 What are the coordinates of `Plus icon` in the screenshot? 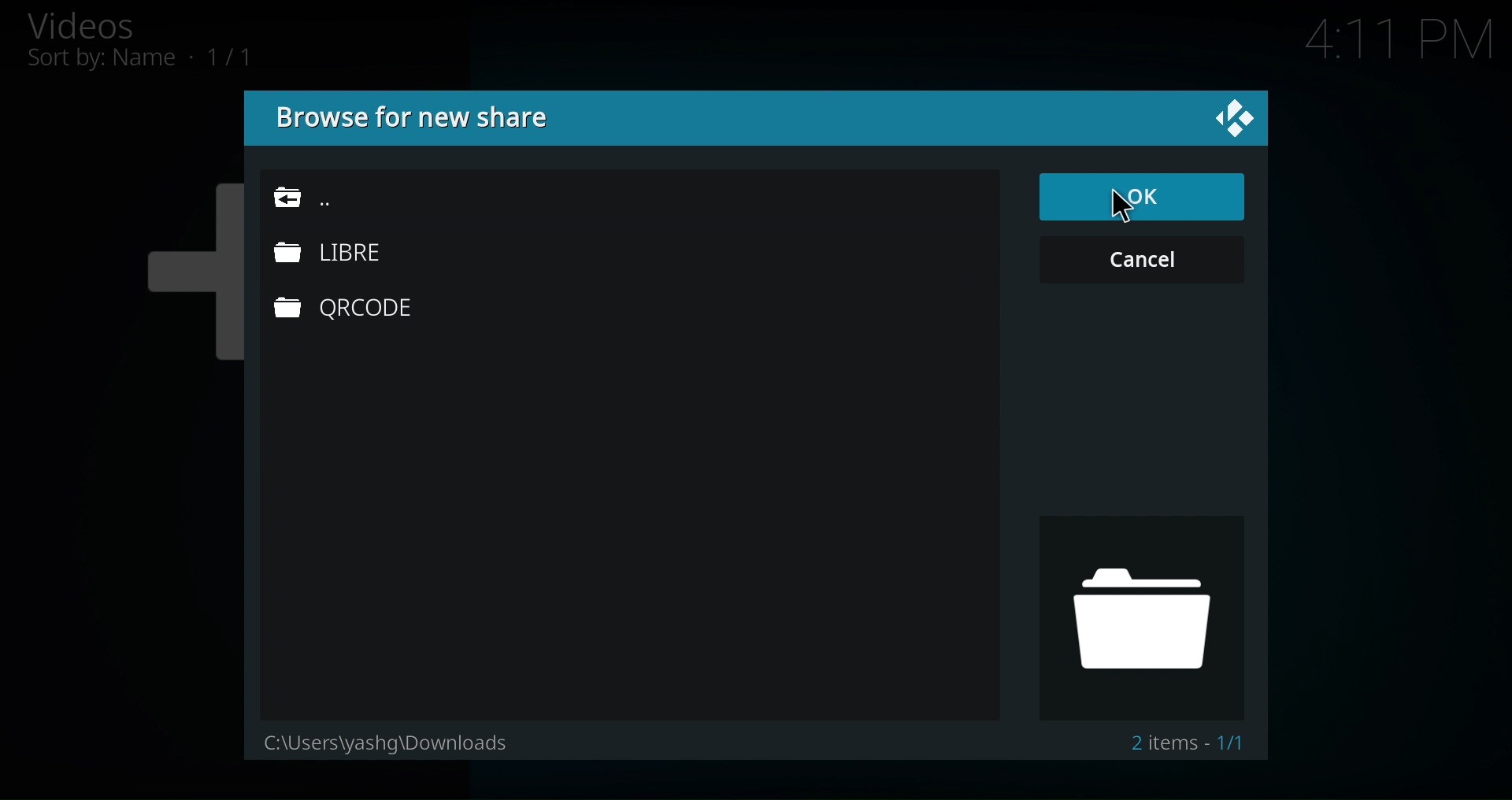 It's located at (169, 269).